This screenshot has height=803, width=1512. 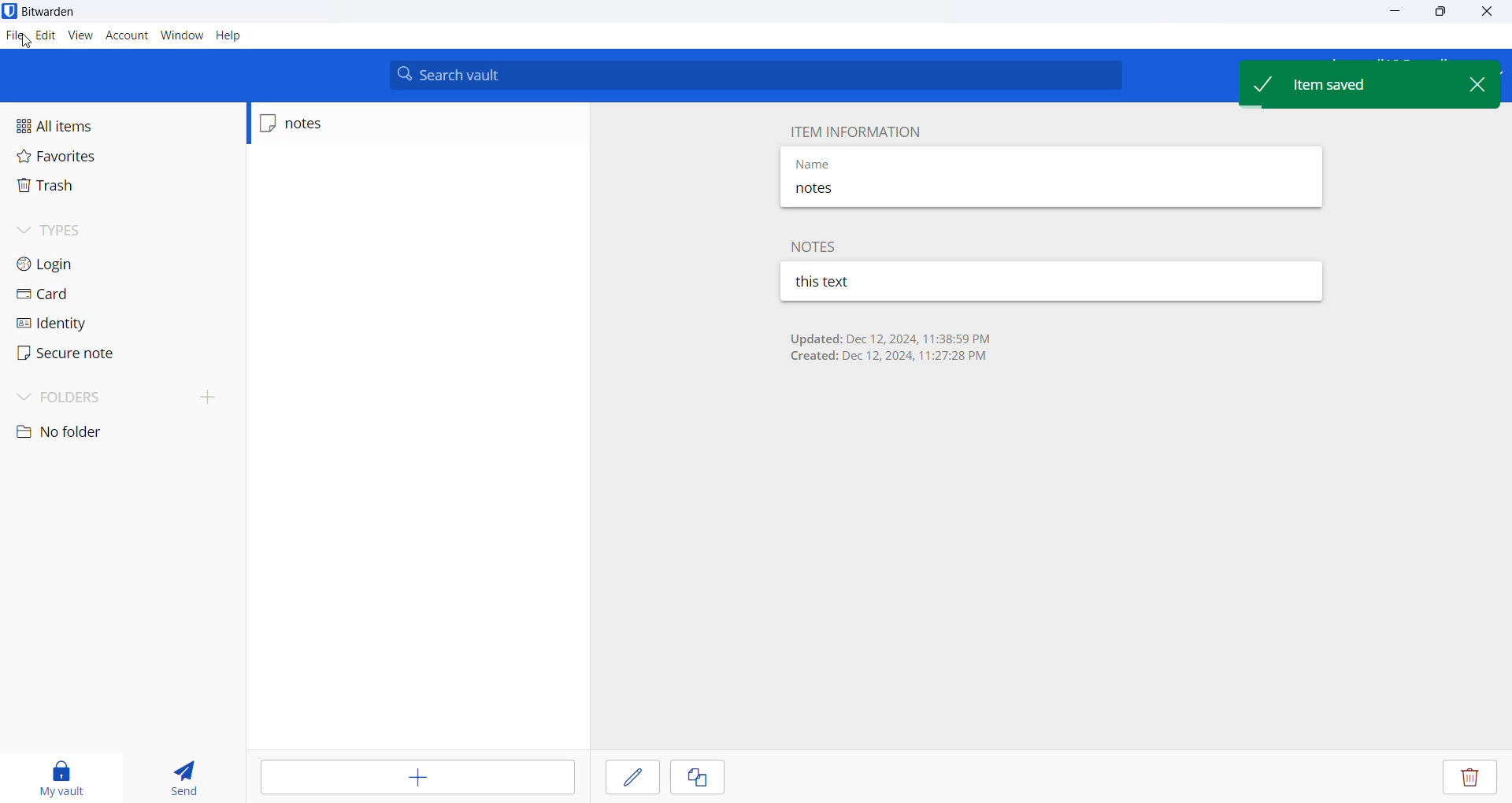 What do you see at coordinates (853, 130) in the screenshot?
I see `Item information` at bounding box center [853, 130].